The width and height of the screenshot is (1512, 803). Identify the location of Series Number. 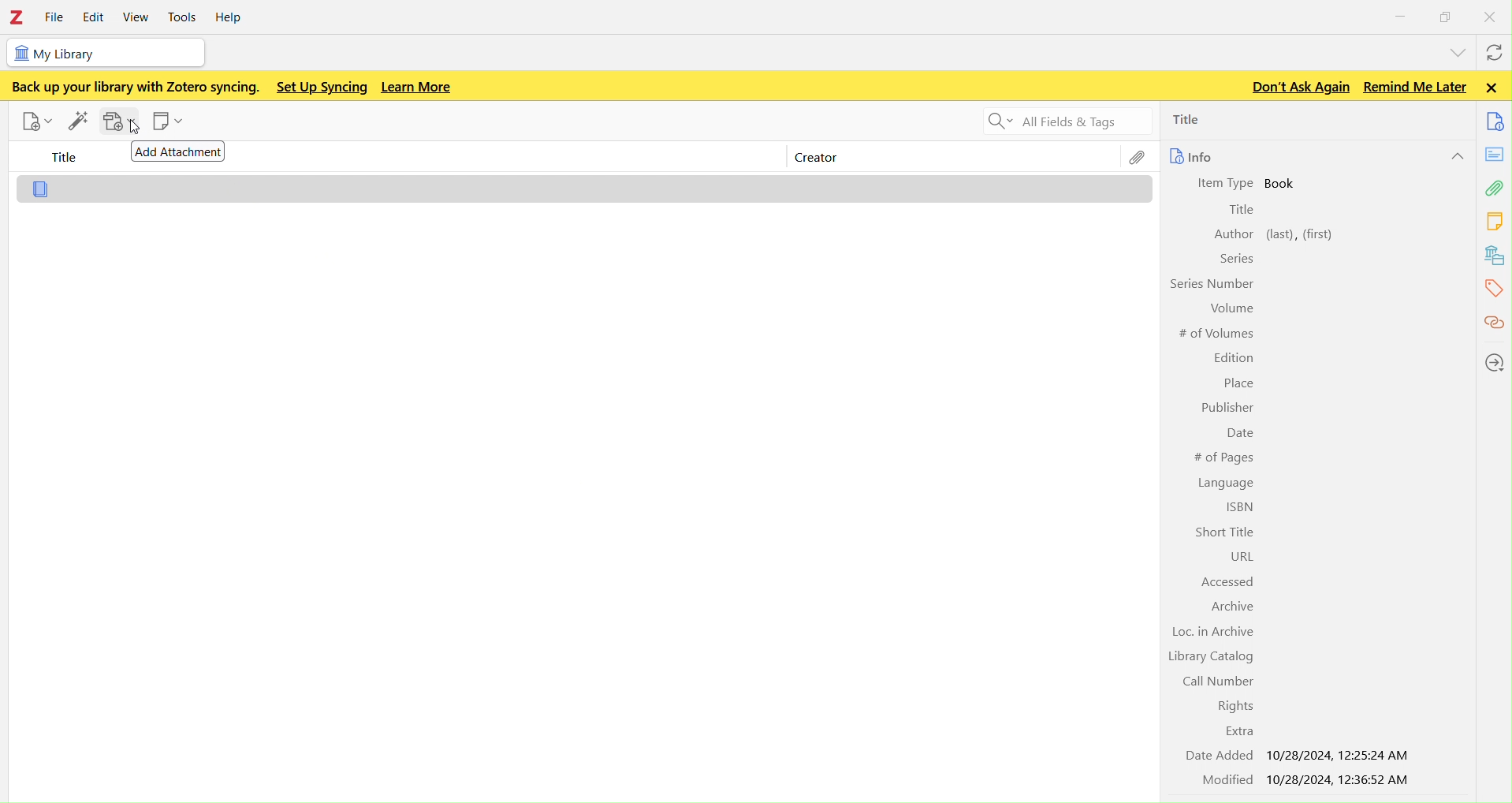
(1211, 285).